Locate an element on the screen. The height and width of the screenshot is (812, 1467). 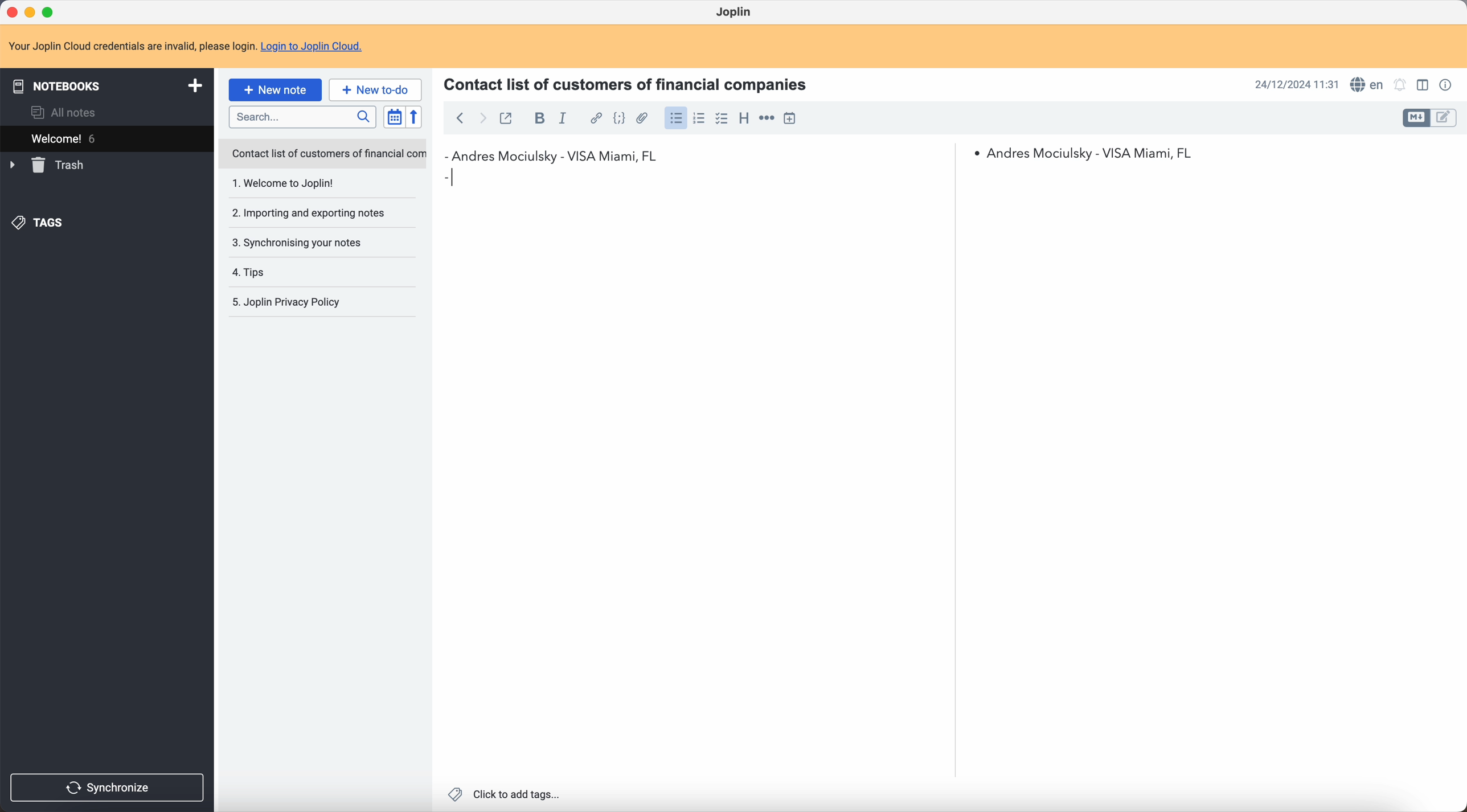
Joplin is located at coordinates (733, 11).